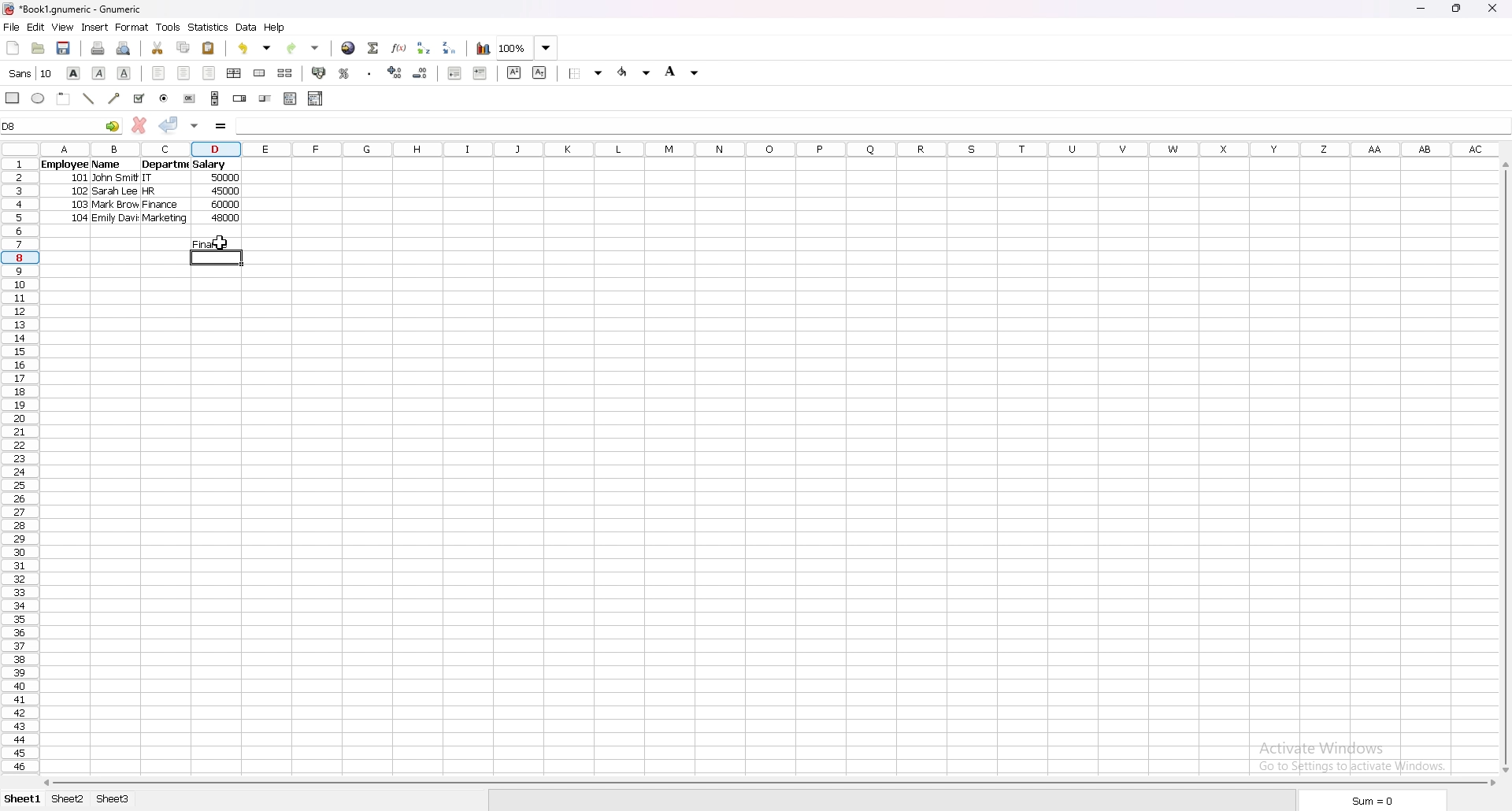 This screenshot has width=1512, height=811. What do you see at coordinates (265, 98) in the screenshot?
I see `slider` at bounding box center [265, 98].